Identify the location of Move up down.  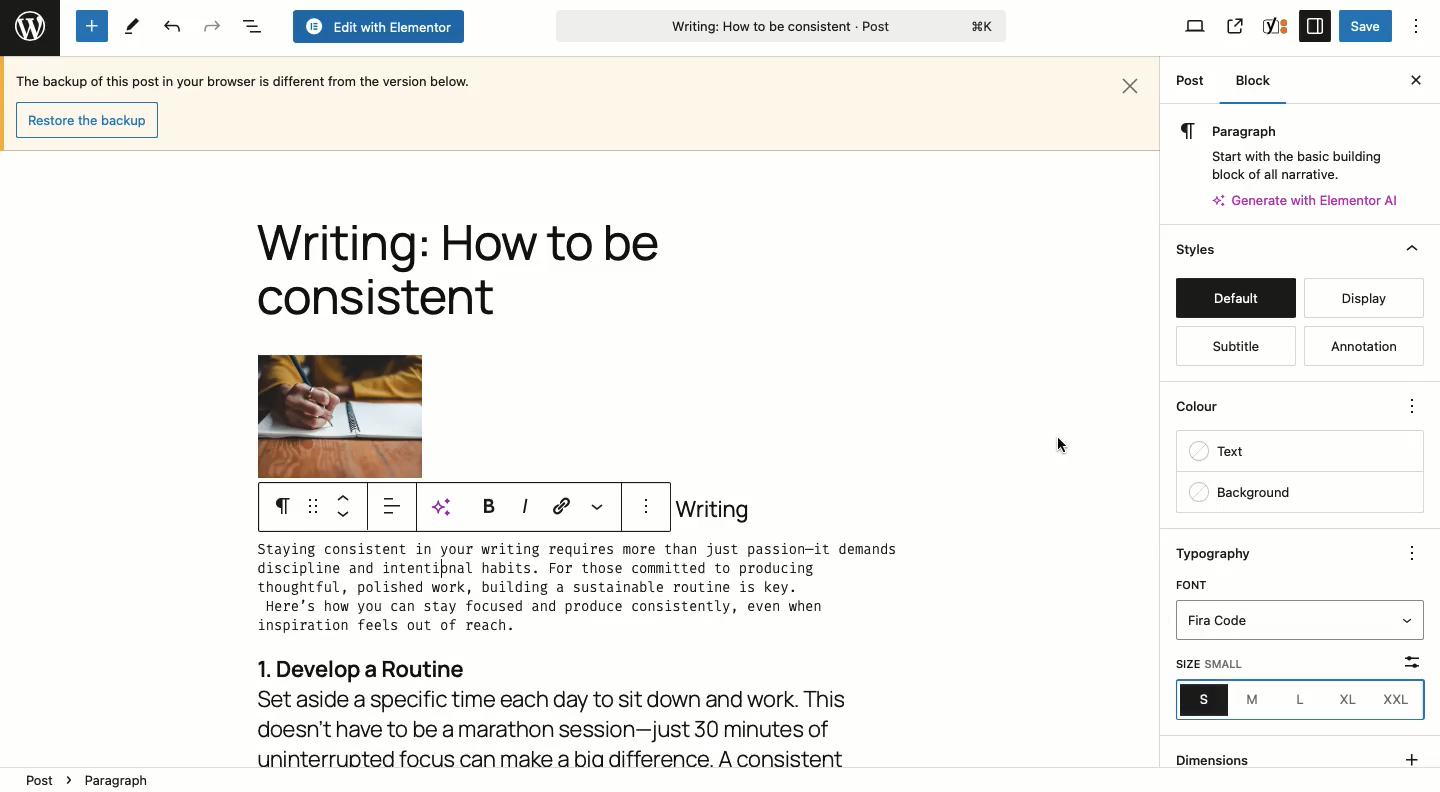
(348, 506).